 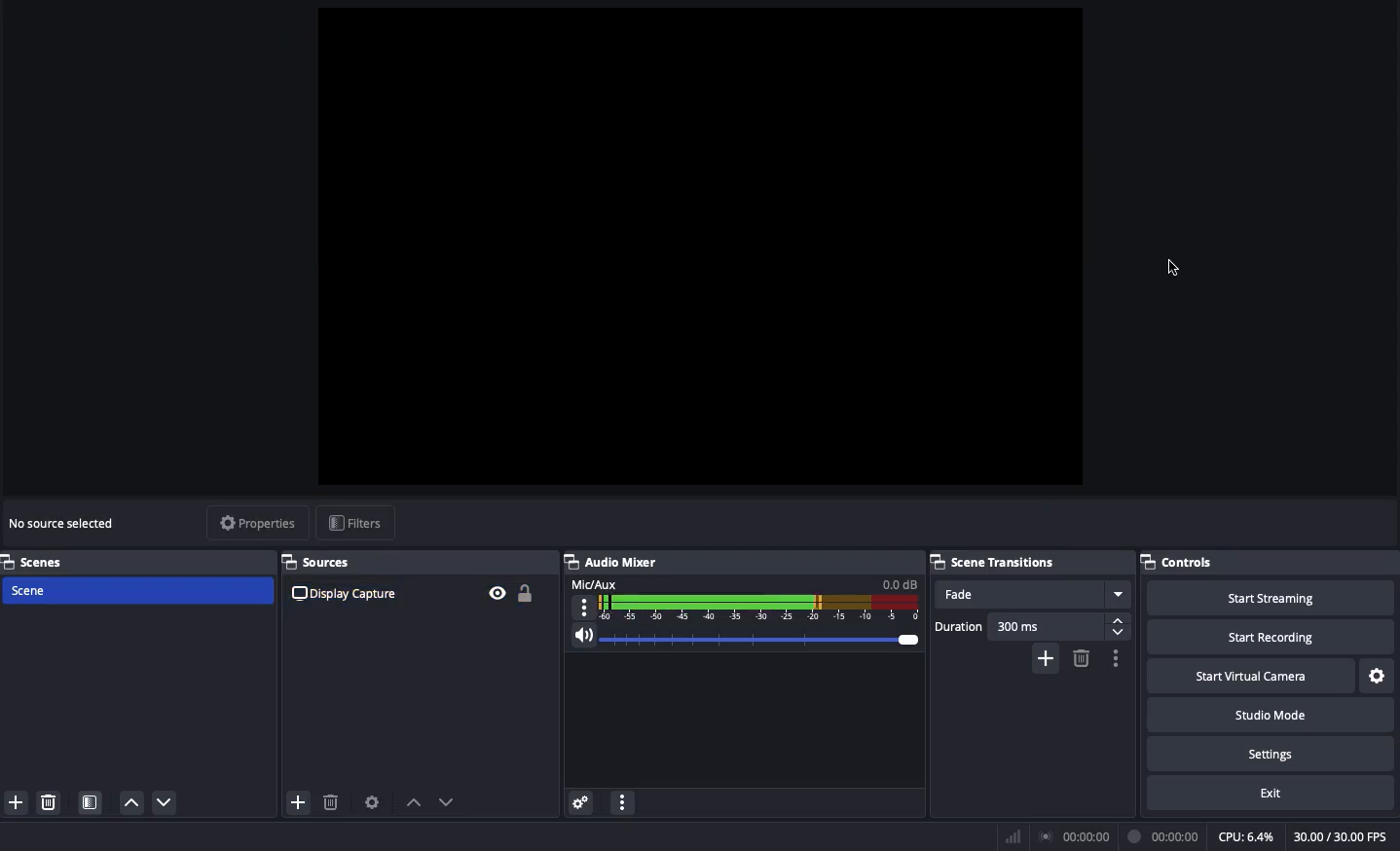 I want to click on Add, so click(x=297, y=804).